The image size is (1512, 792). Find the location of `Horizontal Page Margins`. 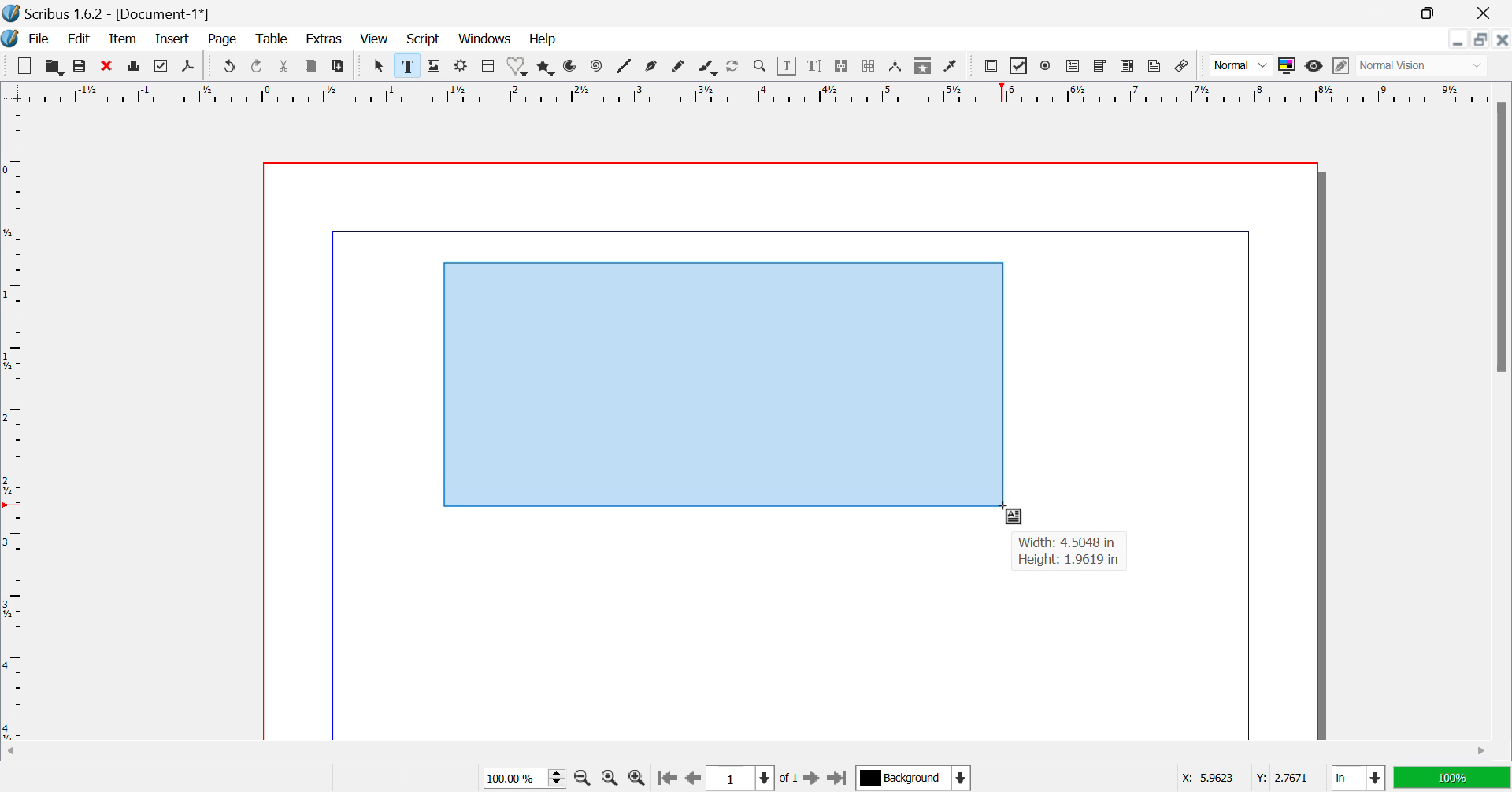

Horizontal Page Margins is located at coordinates (19, 425).